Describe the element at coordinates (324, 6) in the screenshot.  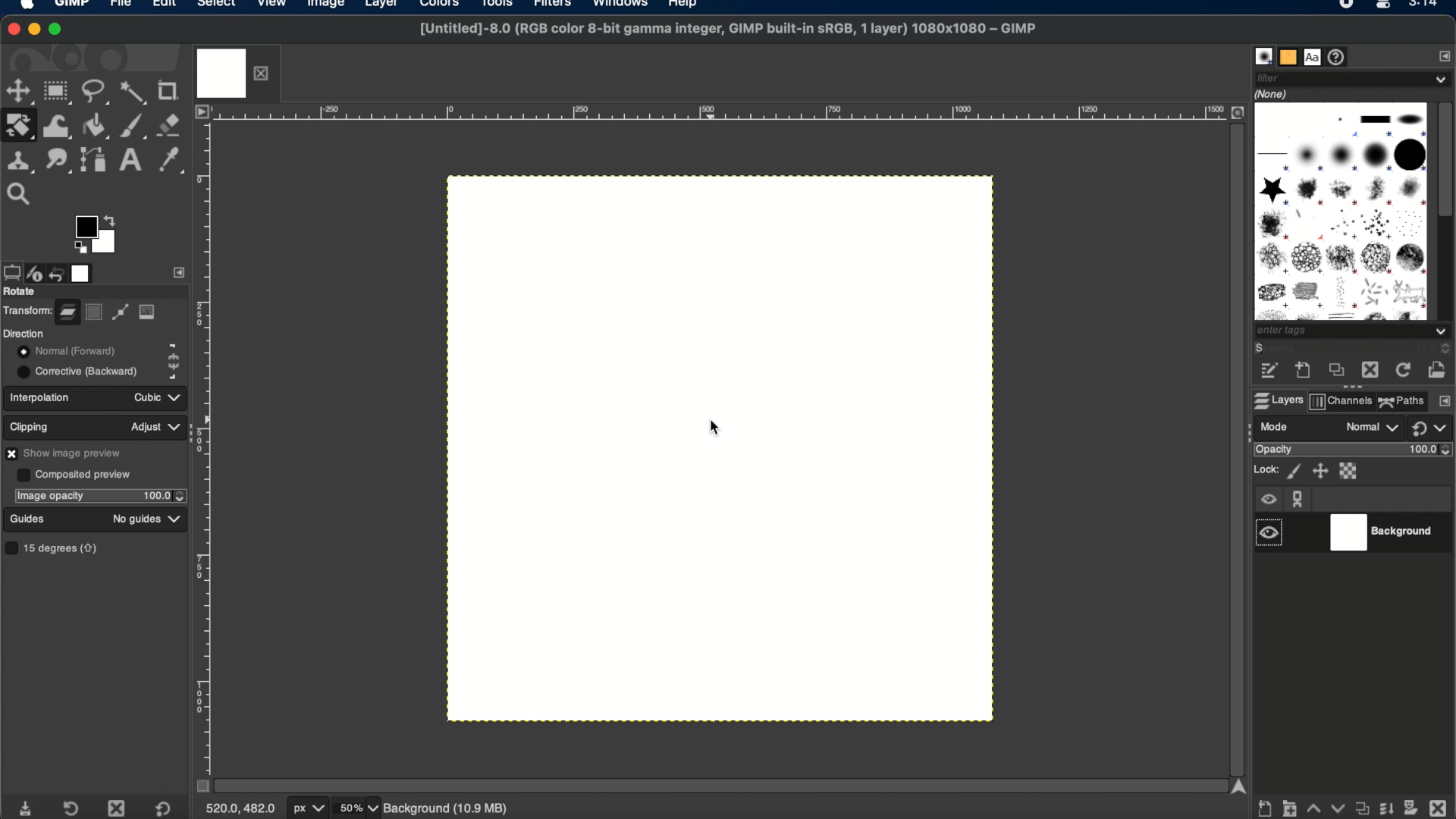
I see `image` at that location.